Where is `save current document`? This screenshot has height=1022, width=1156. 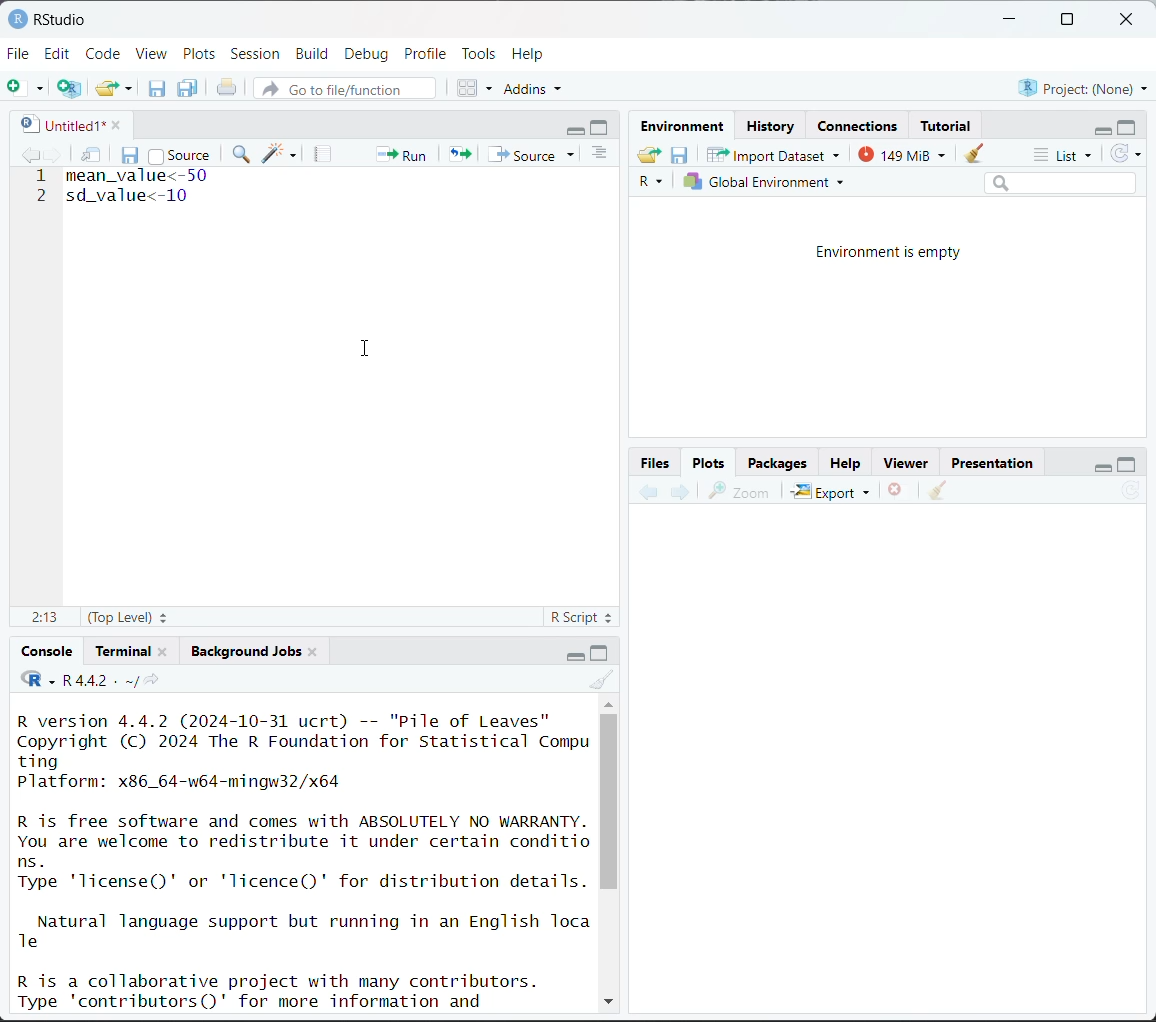
save current document is located at coordinates (157, 88).